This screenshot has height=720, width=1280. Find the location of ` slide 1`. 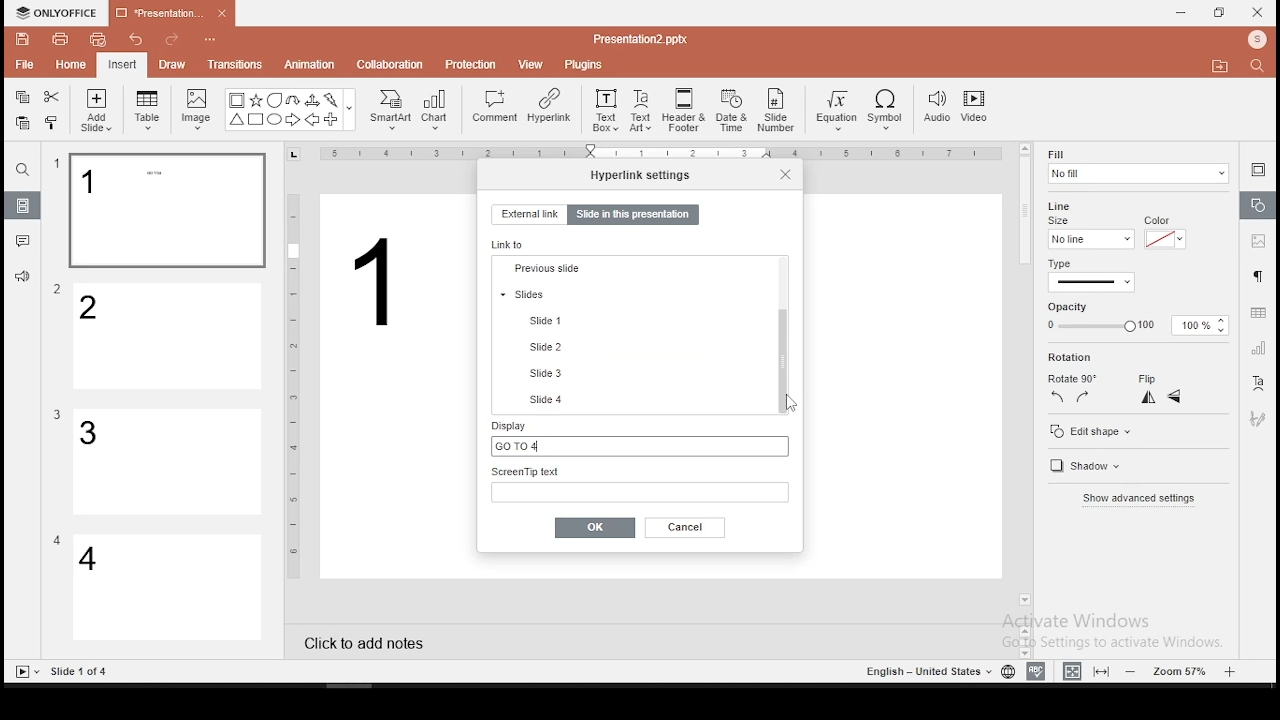

 slide 1 is located at coordinates (554, 397).